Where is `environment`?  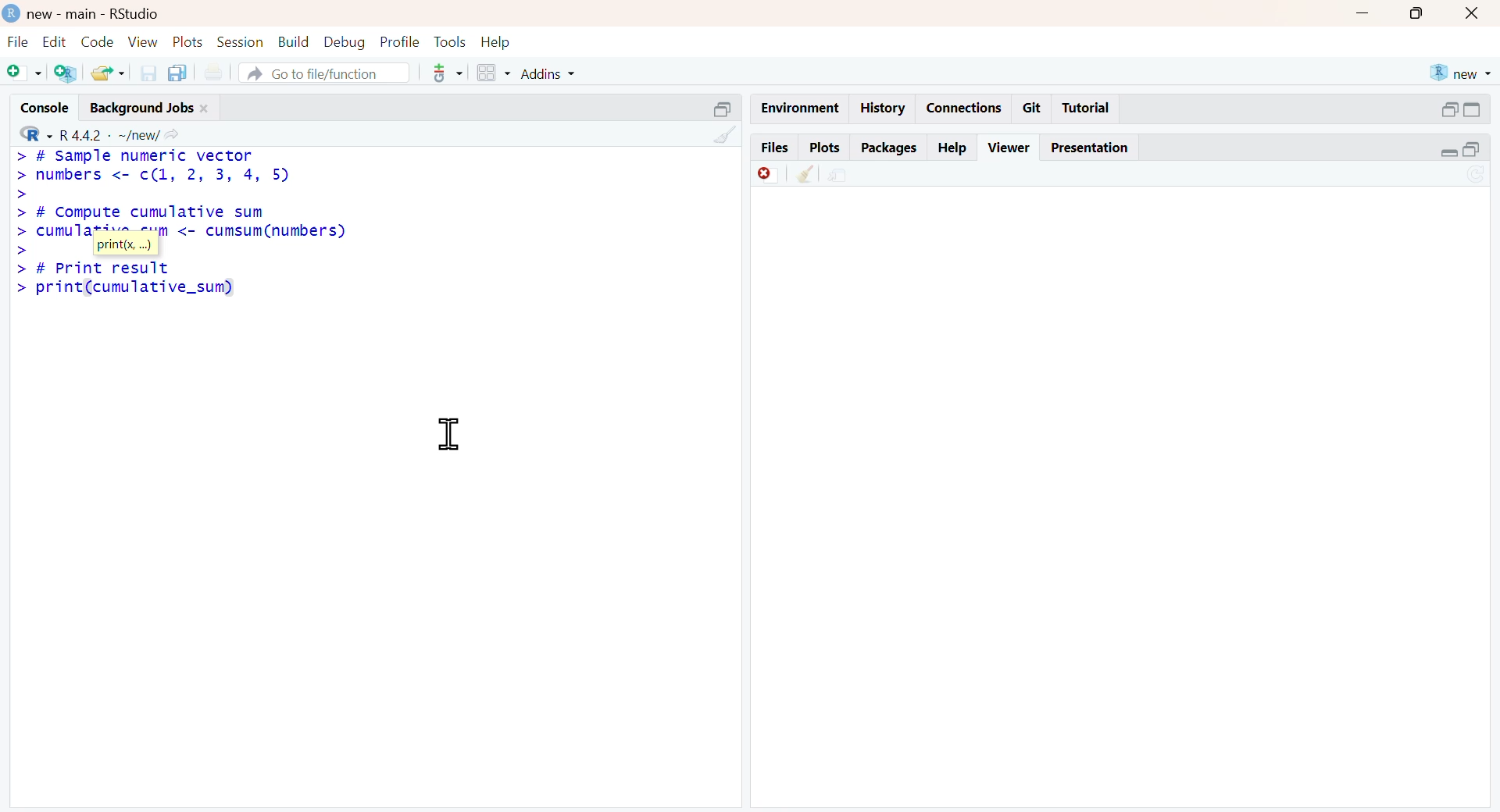 environment is located at coordinates (838, 177).